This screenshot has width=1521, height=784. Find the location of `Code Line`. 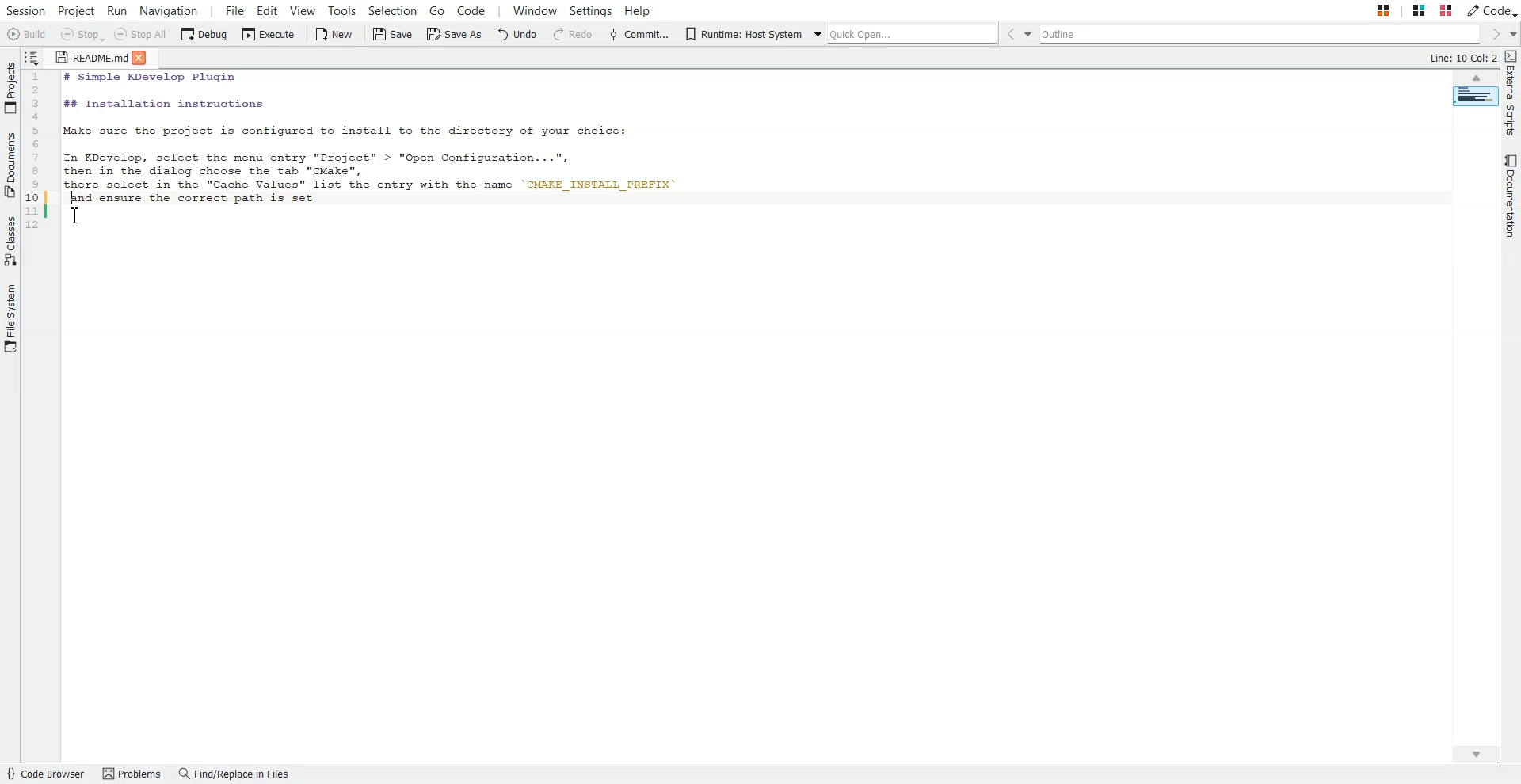

Code Line is located at coordinates (36, 152).